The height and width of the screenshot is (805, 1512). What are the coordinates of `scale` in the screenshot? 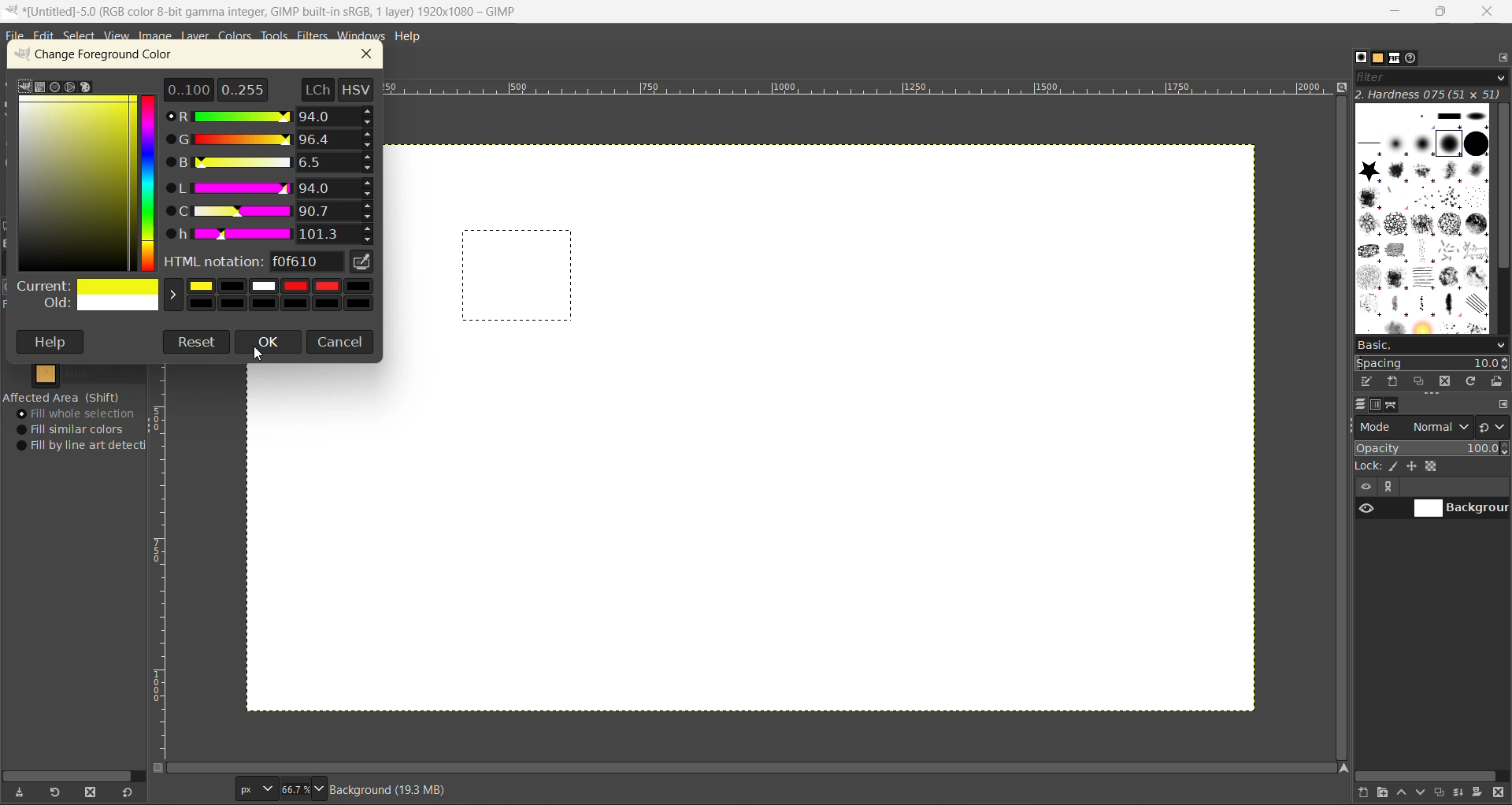 It's located at (163, 563).